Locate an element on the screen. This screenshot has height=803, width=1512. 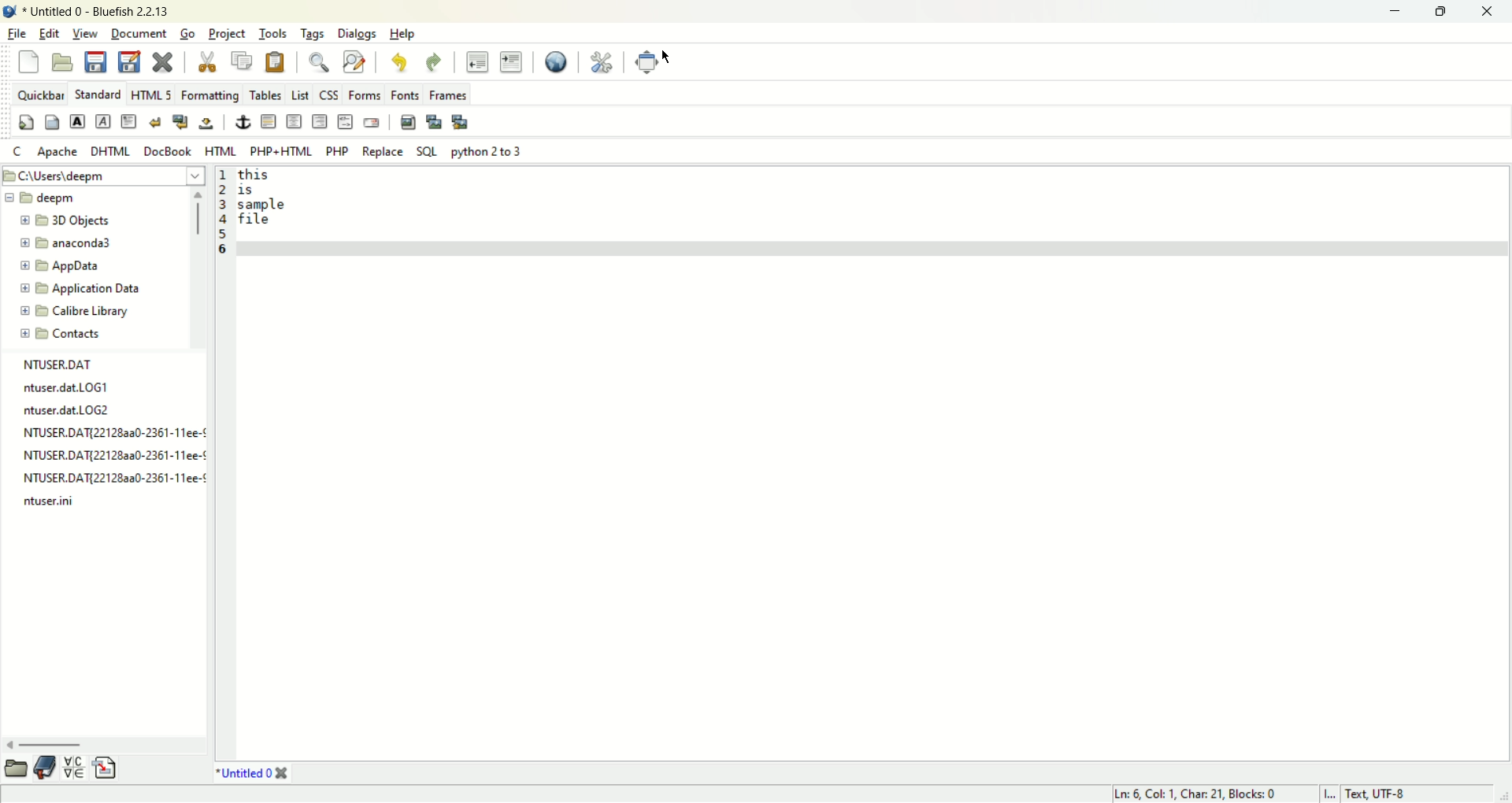
HTML comment is located at coordinates (345, 122).